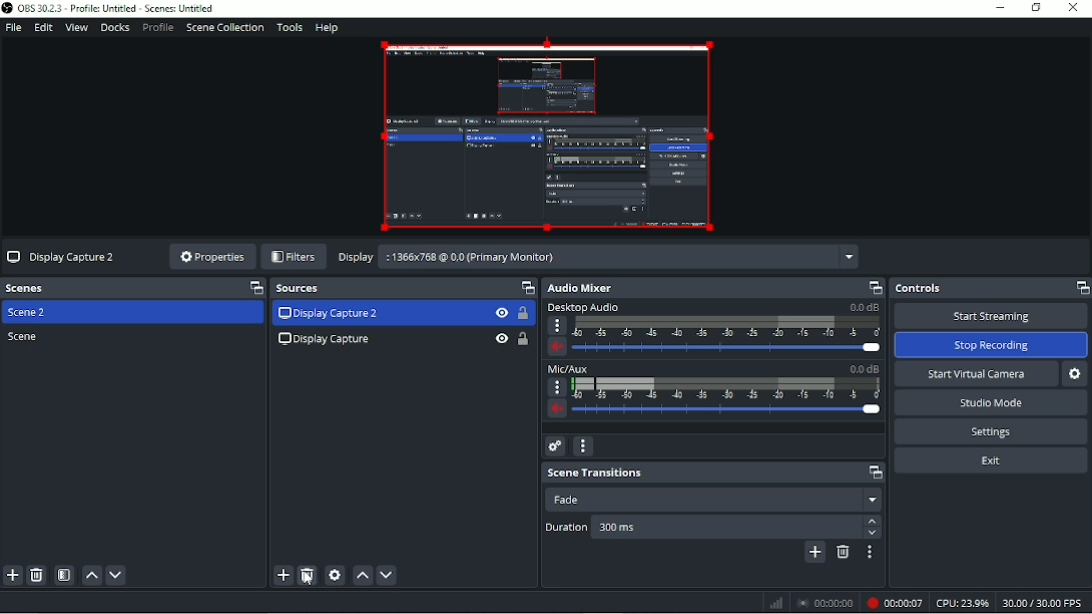  Describe the element at coordinates (386, 574) in the screenshot. I see `Move source(s) down` at that location.